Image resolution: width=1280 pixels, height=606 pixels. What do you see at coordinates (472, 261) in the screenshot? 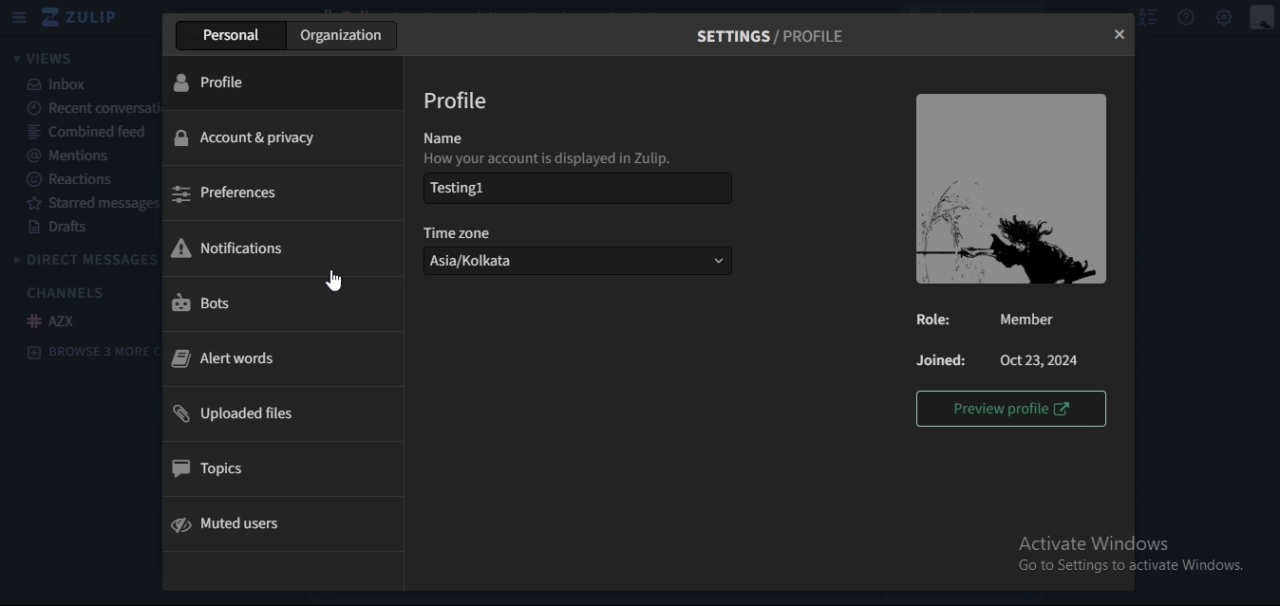
I see `Asia/Kolkata ` at bounding box center [472, 261].